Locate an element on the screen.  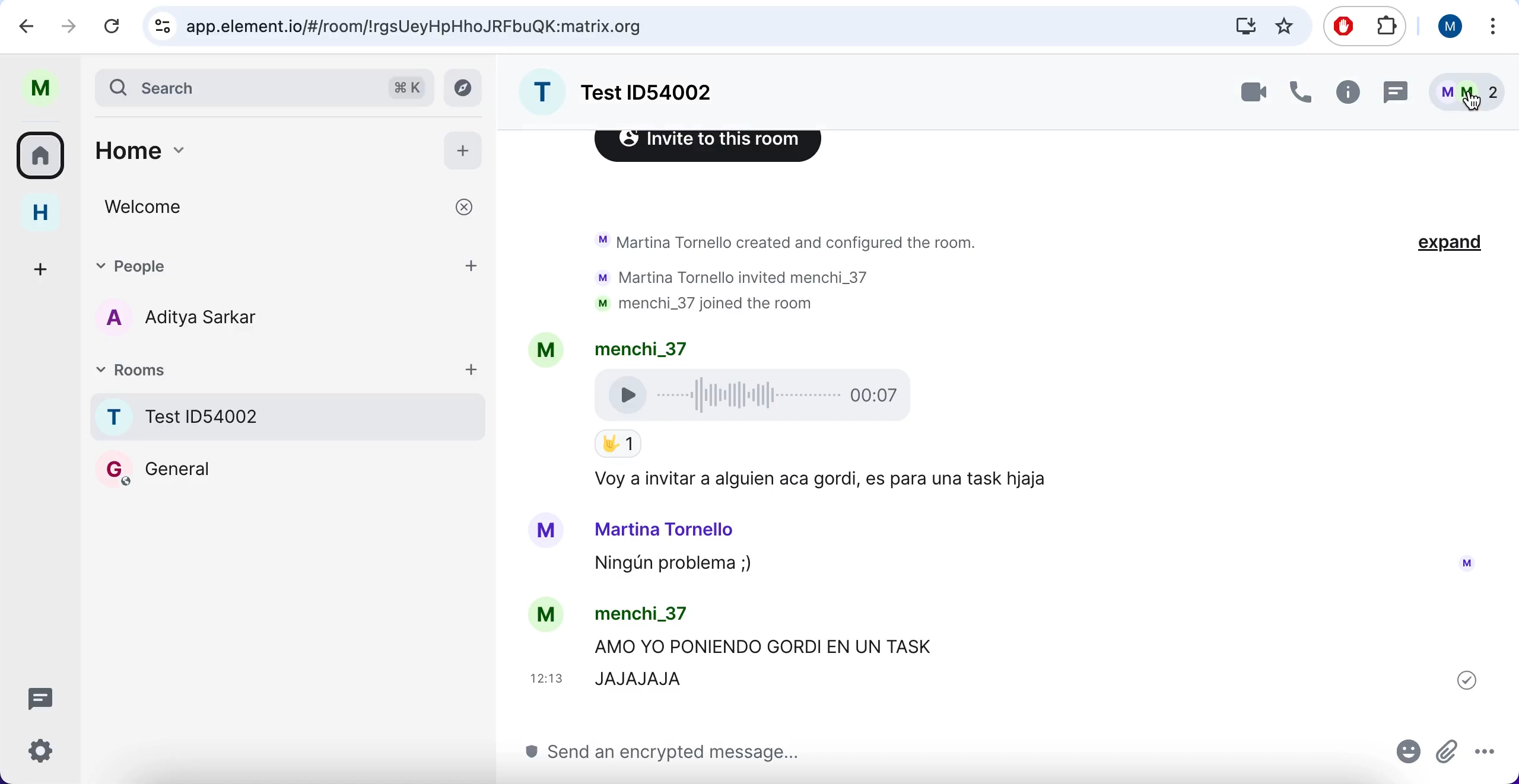
call is located at coordinates (1299, 94).